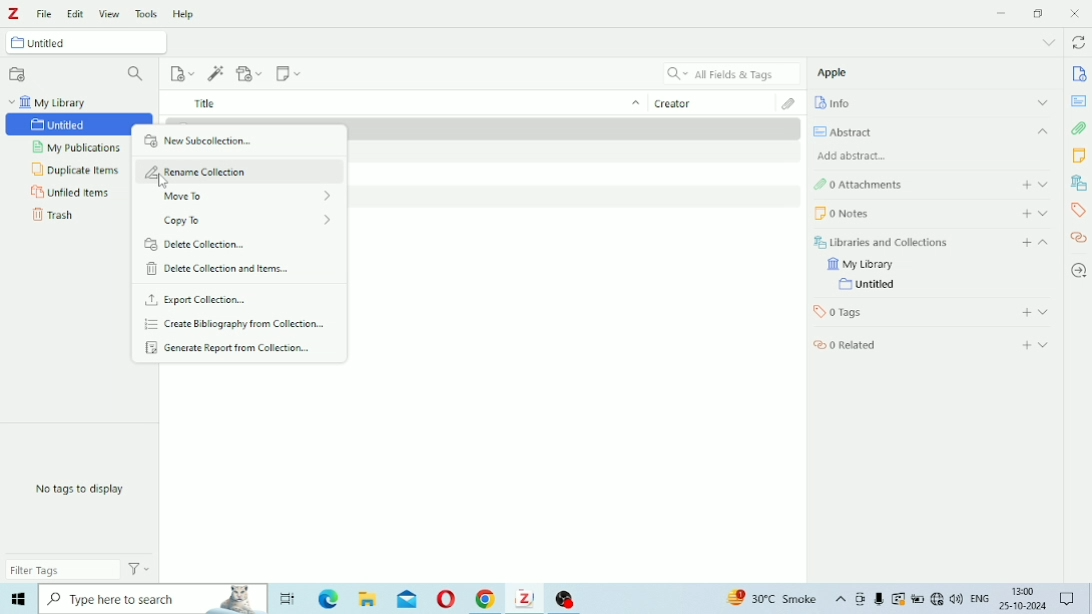 Image resolution: width=1092 pixels, height=614 pixels. I want to click on Rename Collection, so click(203, 173).